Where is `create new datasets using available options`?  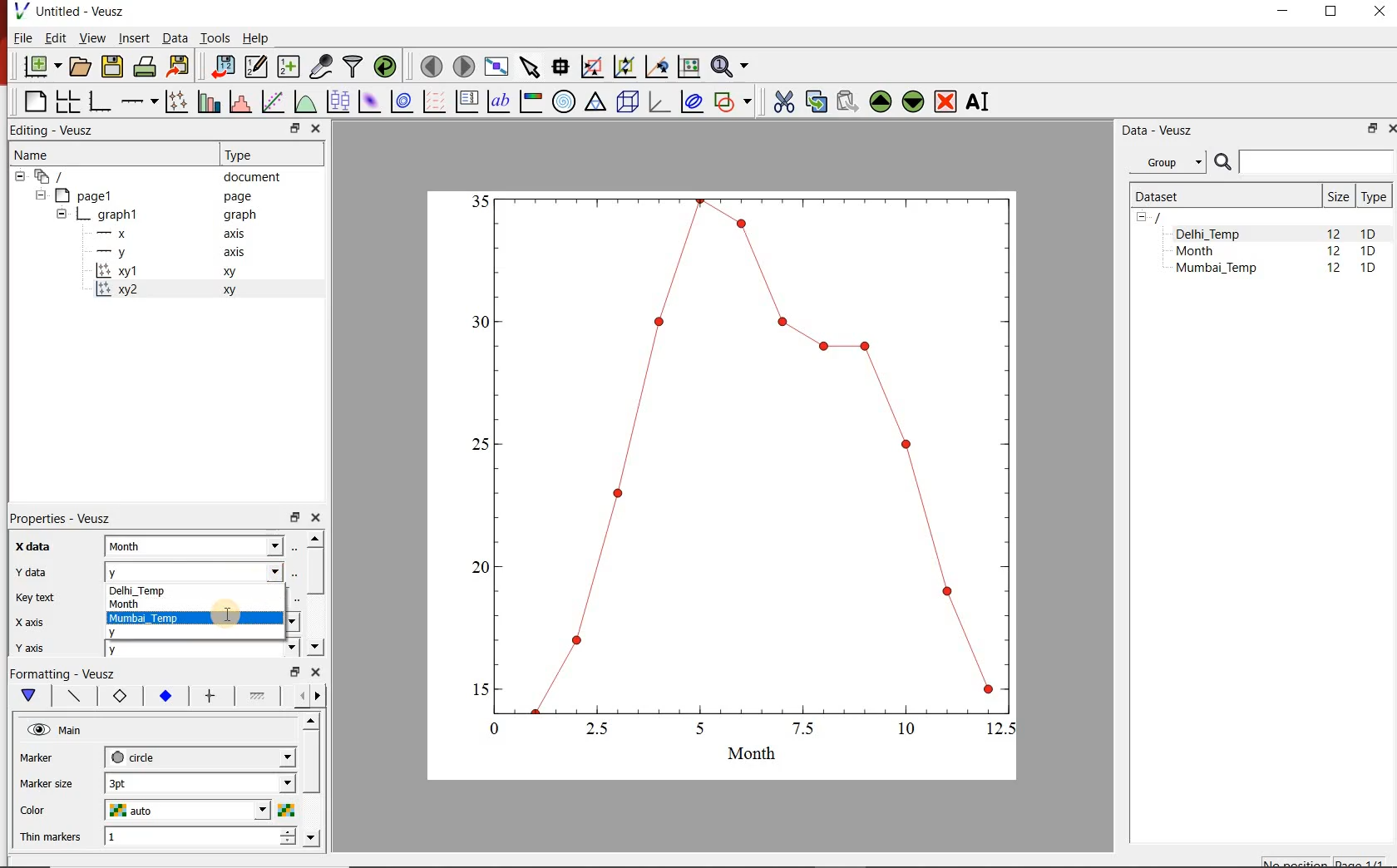 create new datasets using available options is located at coordinates (289, 67).